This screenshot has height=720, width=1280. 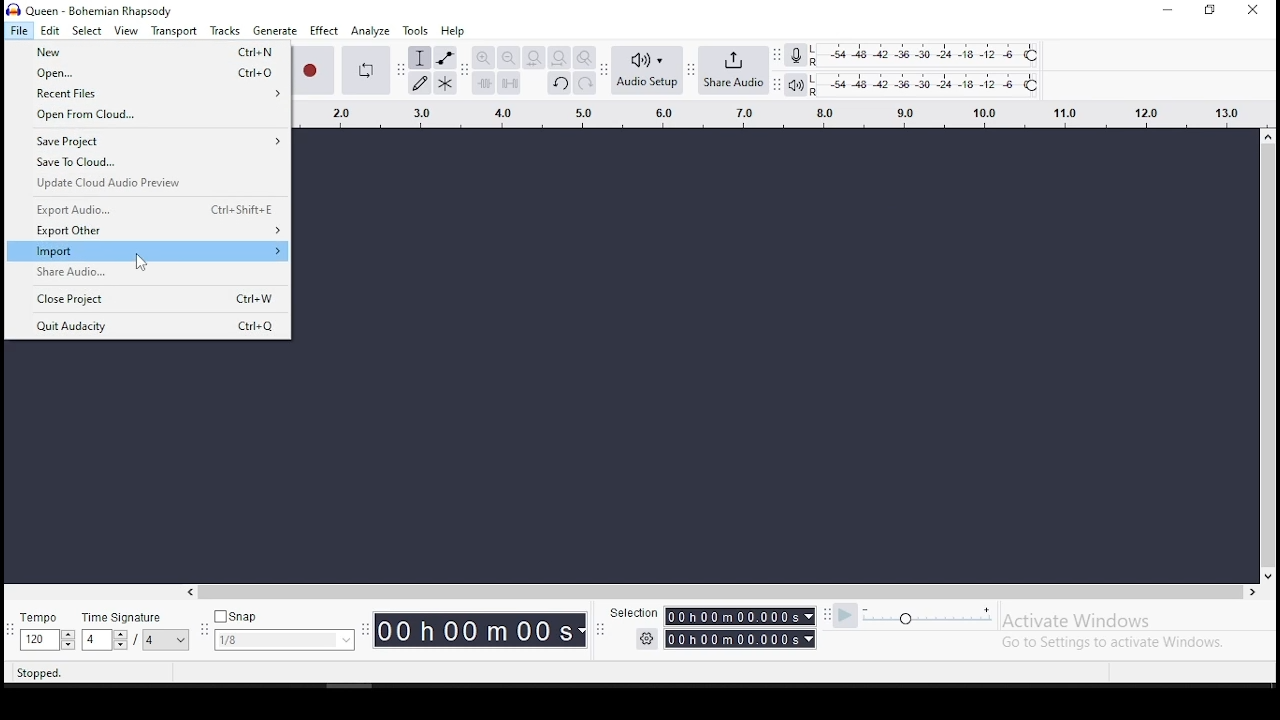 What do you see at coordinates (446, 84) in the screenshot?
I see `multi tool` at bounding box center [446, 84].